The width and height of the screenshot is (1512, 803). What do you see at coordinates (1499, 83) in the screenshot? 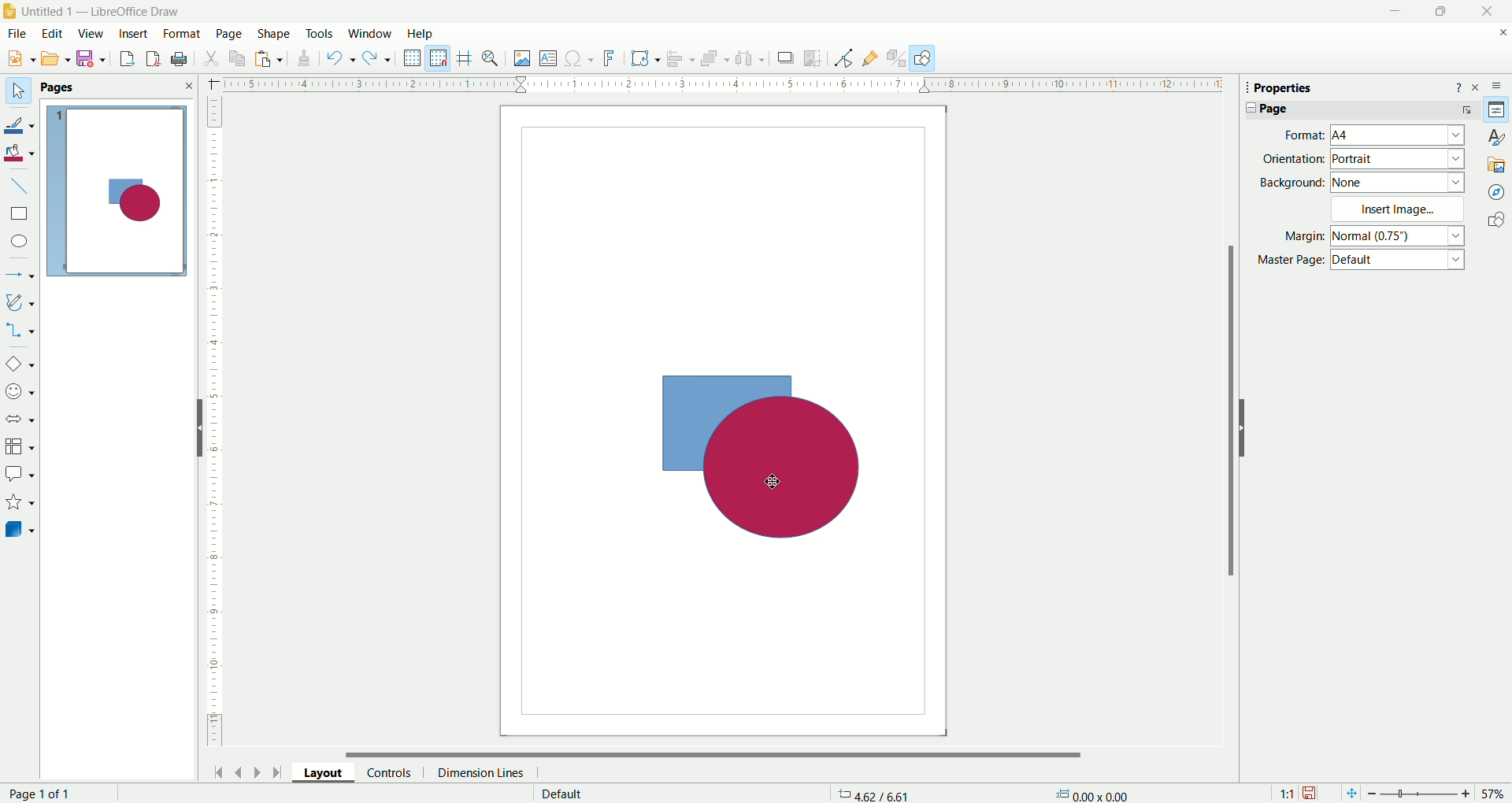
I see `options` at bounding box center [1499, 83].